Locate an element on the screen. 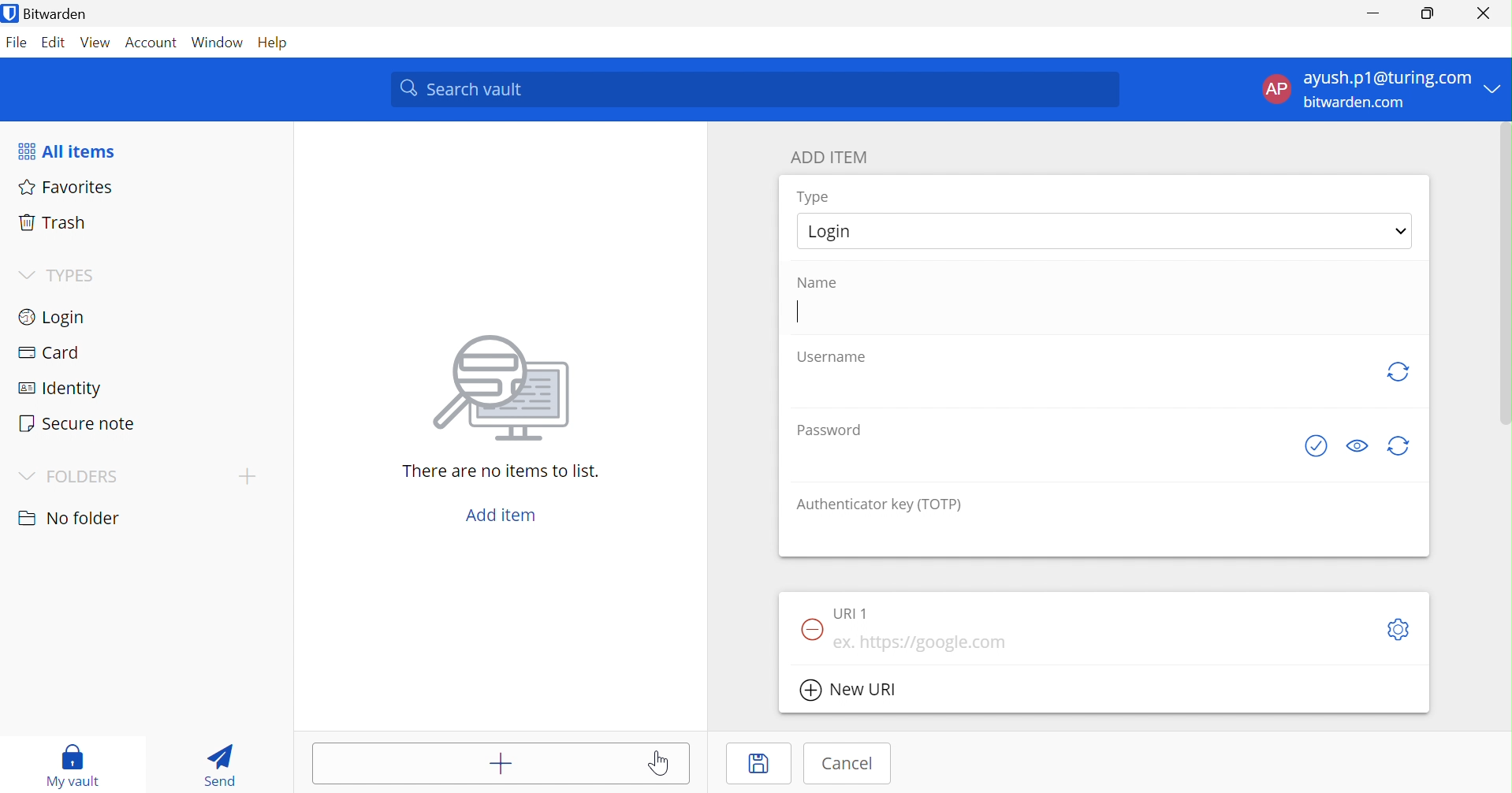  Close is located at coordinates (1486, 13).